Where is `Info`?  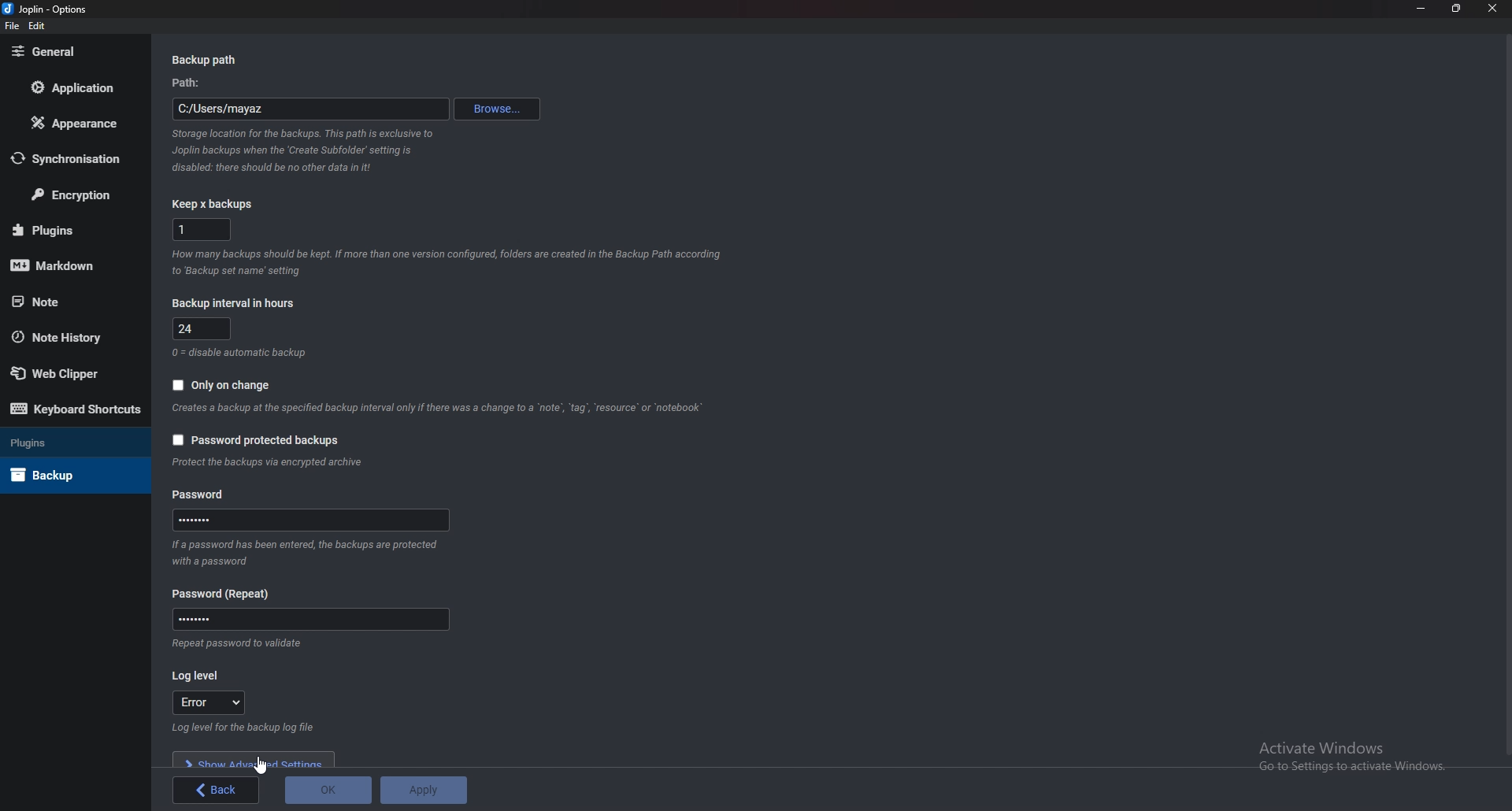 Info is located at coordinates (309, 552).